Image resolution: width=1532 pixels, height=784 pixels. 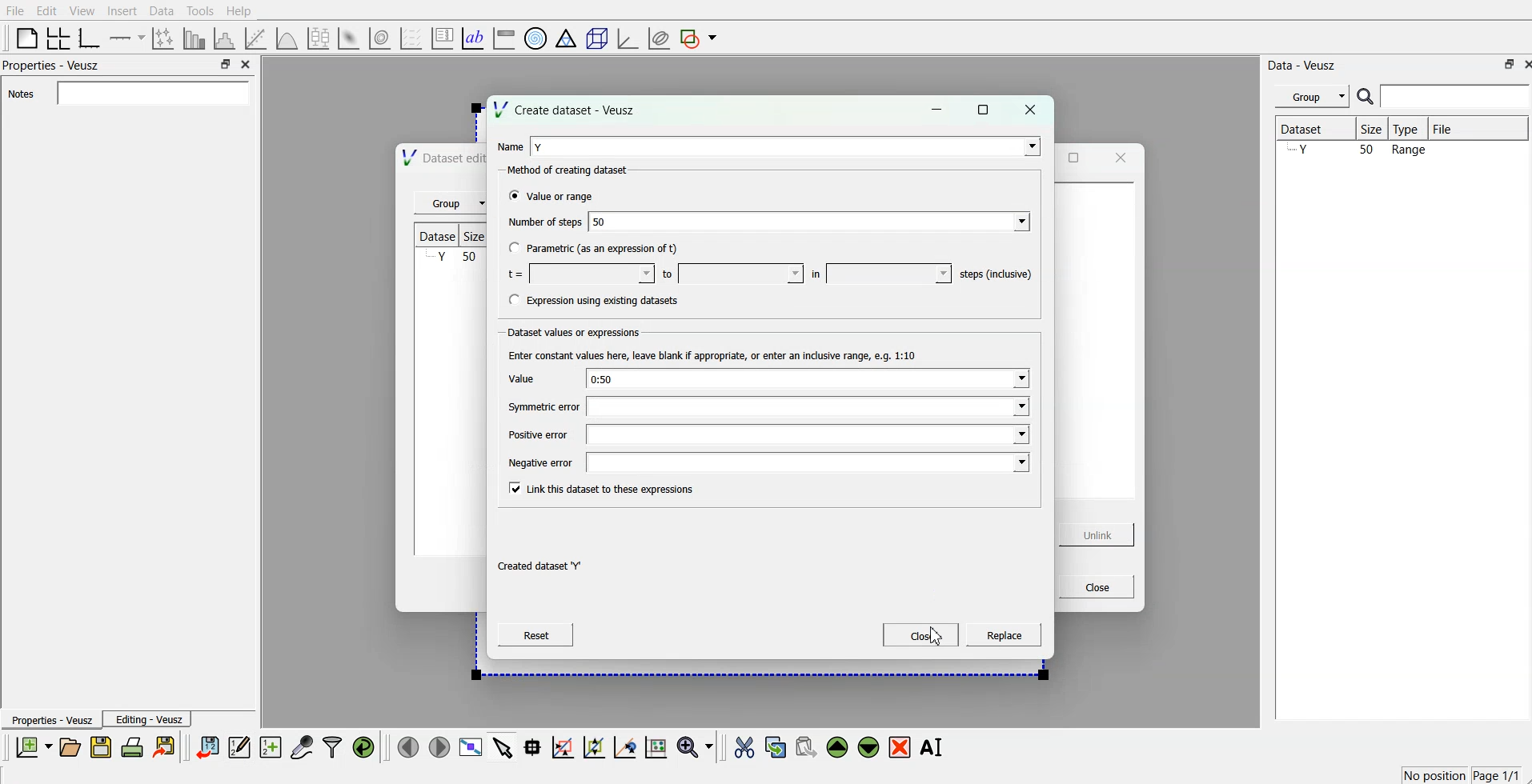 What do you see at coordinates (1313, 96) in the screenshot?
I see `Group ` at bounding box center [1313, 96].